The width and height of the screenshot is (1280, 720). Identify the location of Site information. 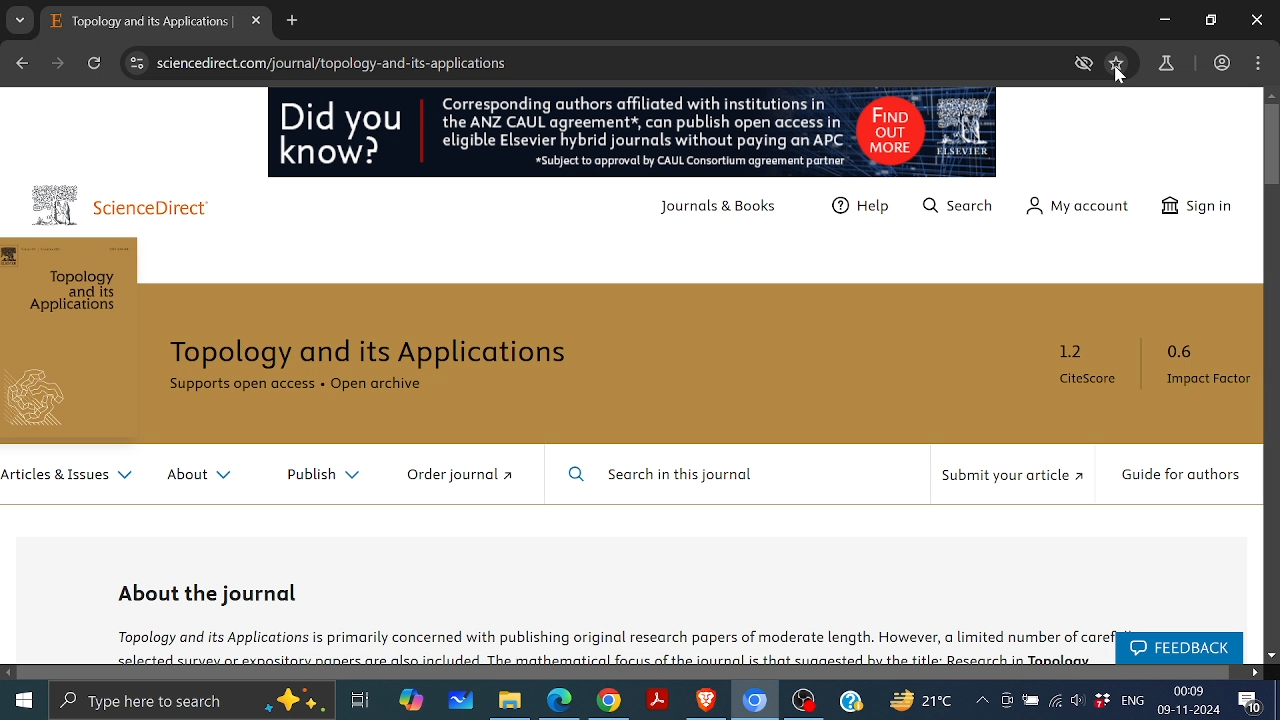
(133, 63).